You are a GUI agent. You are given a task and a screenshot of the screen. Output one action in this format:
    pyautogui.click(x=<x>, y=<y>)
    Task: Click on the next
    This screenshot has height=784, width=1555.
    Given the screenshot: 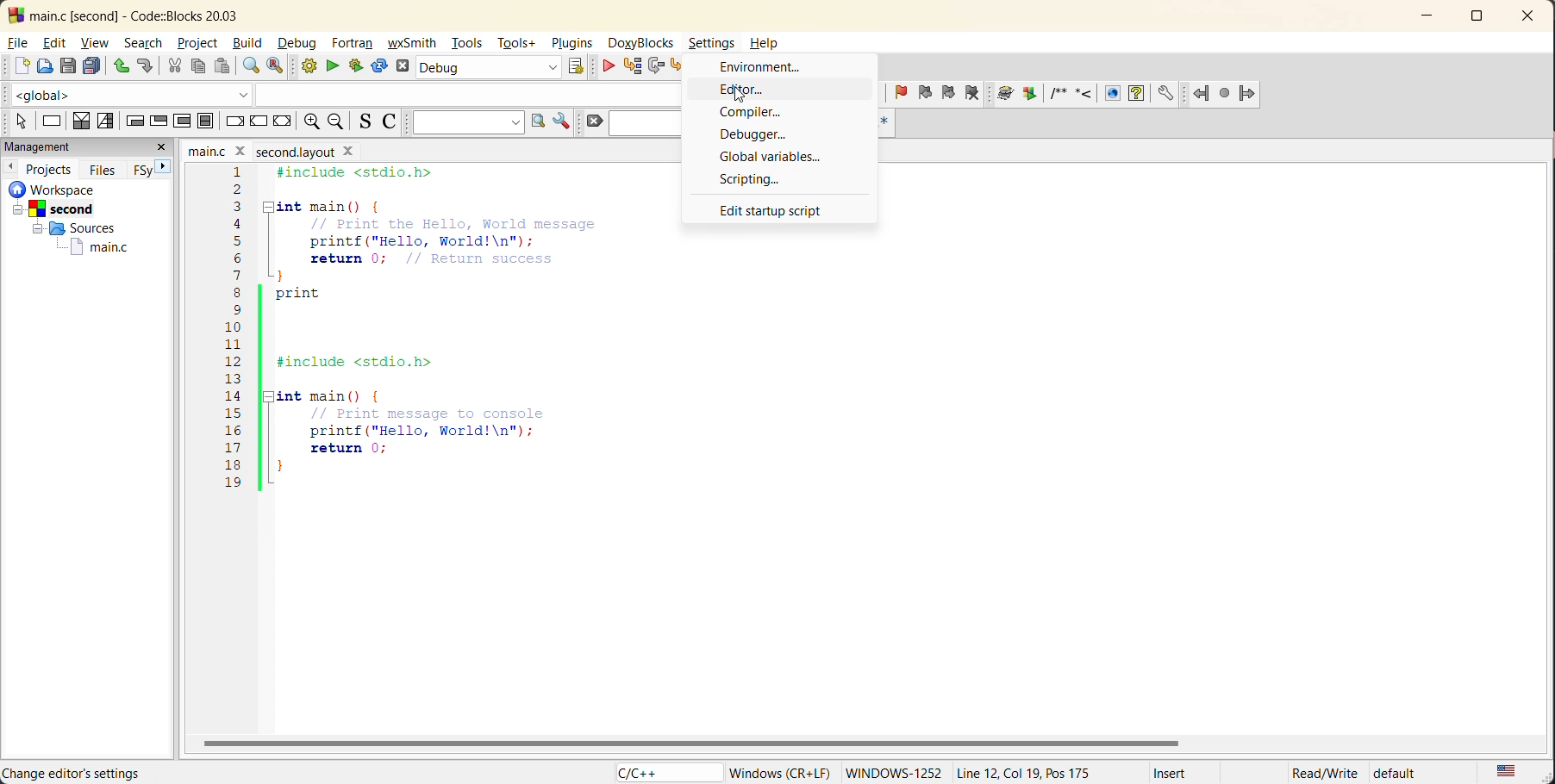 What is the action you would take?
    pyautogui.click(x=164, y=167)
    